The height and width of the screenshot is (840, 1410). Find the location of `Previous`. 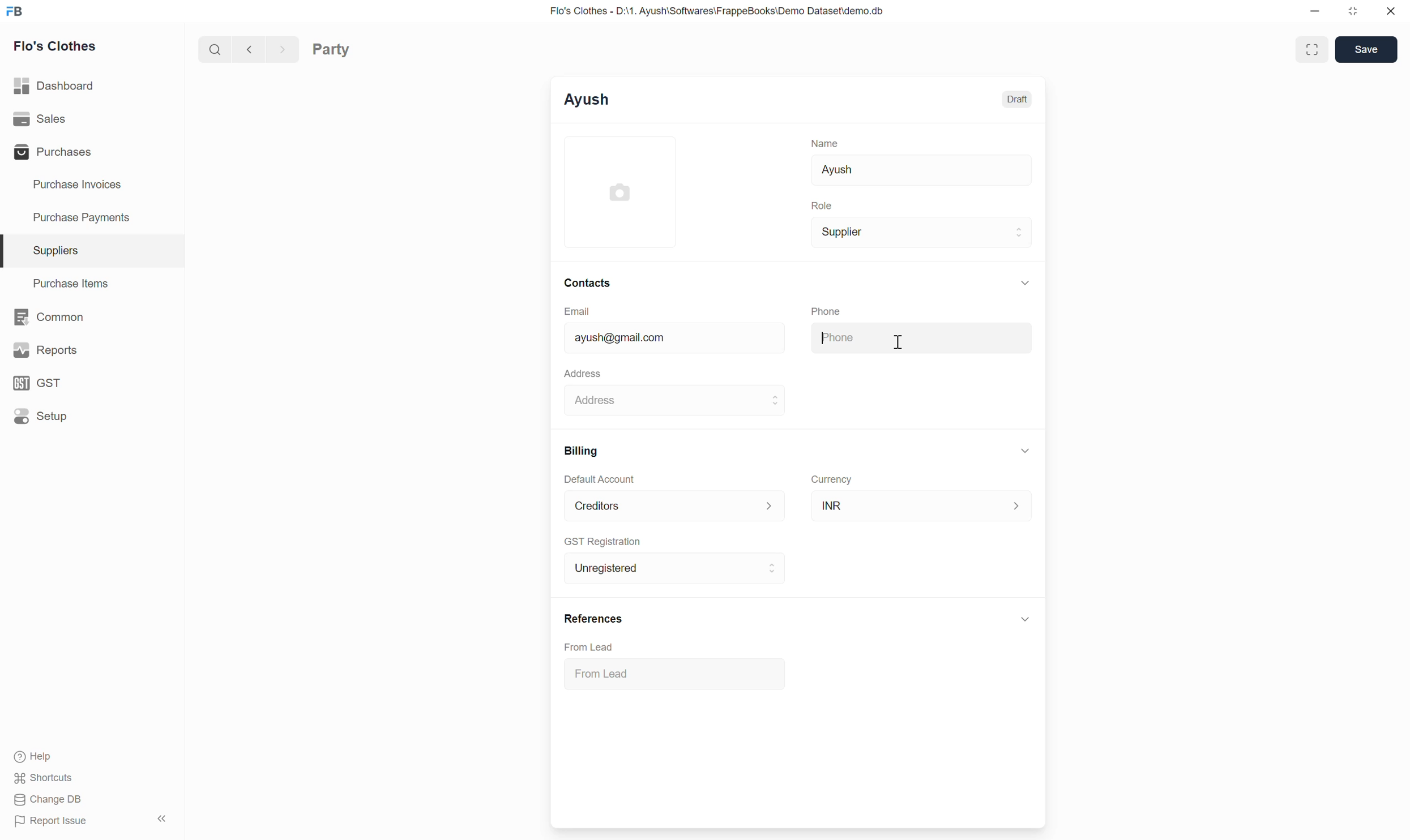

Previous is located at coordinates (249, 49).